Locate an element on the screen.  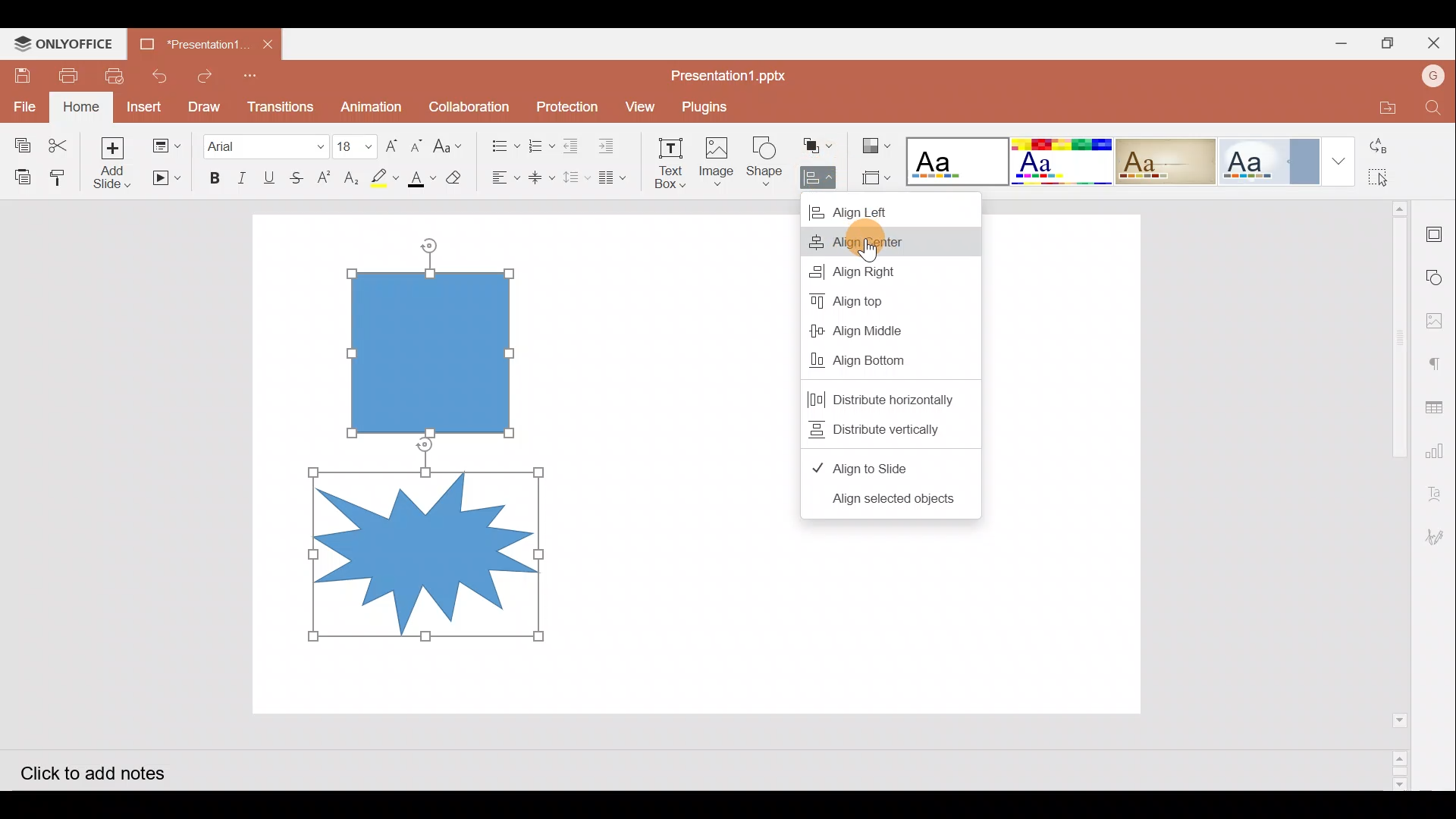
Signature settings is located at coordinates (1439, 536).